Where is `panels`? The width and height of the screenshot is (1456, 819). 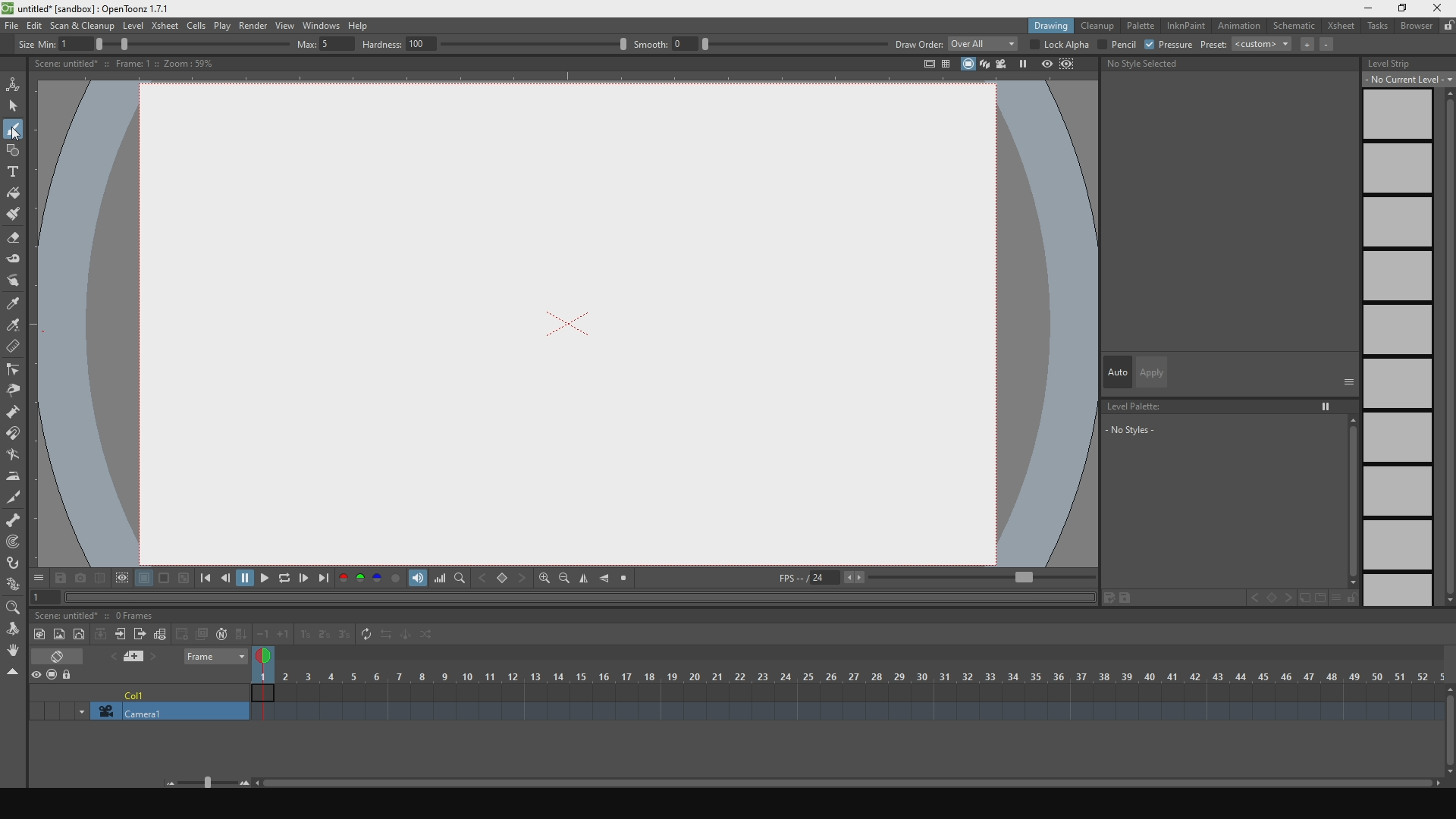 panels is located at coordinates (946, 66).